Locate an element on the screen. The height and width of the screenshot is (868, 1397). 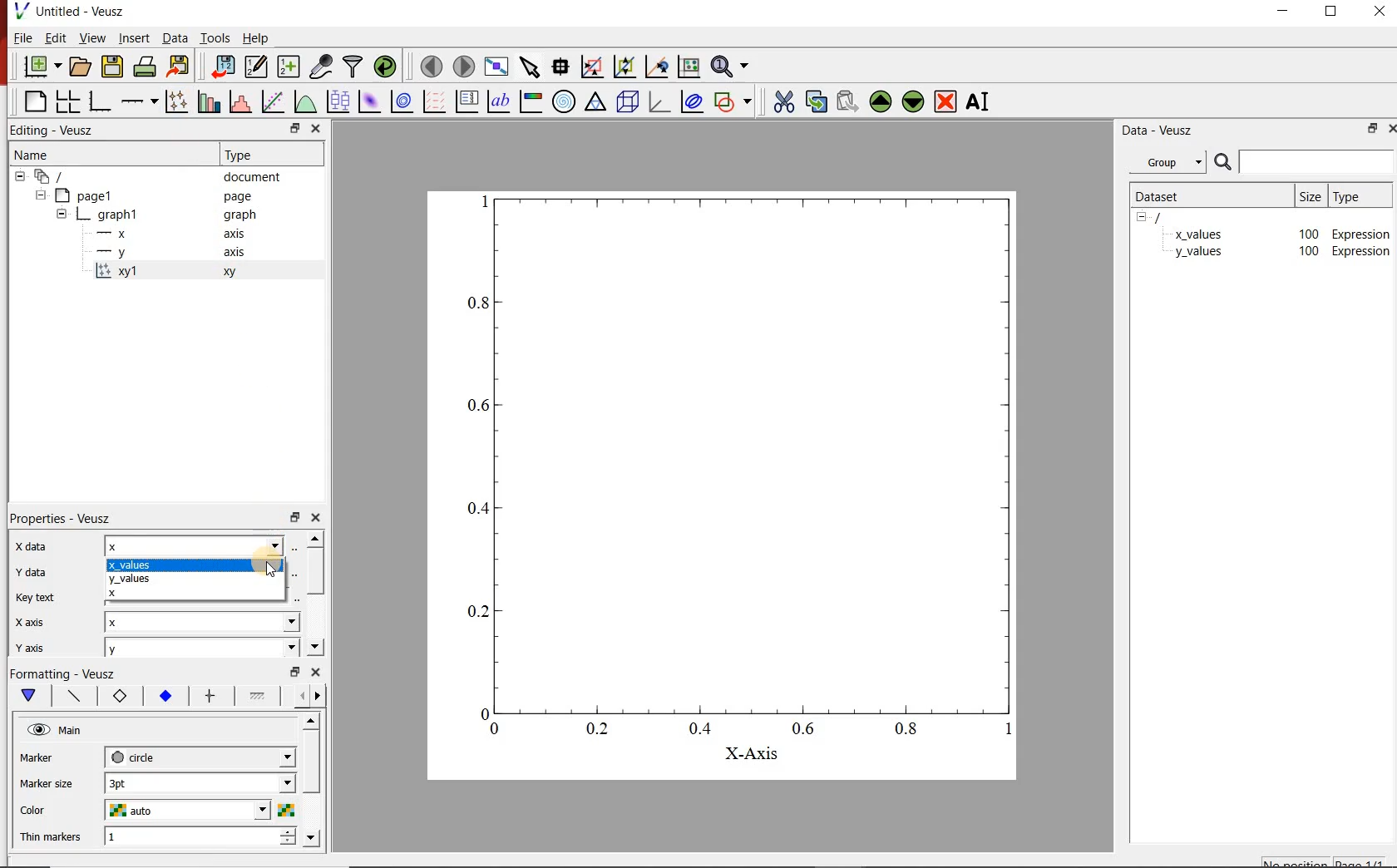
main formatting is located at coordinates (30, 696).